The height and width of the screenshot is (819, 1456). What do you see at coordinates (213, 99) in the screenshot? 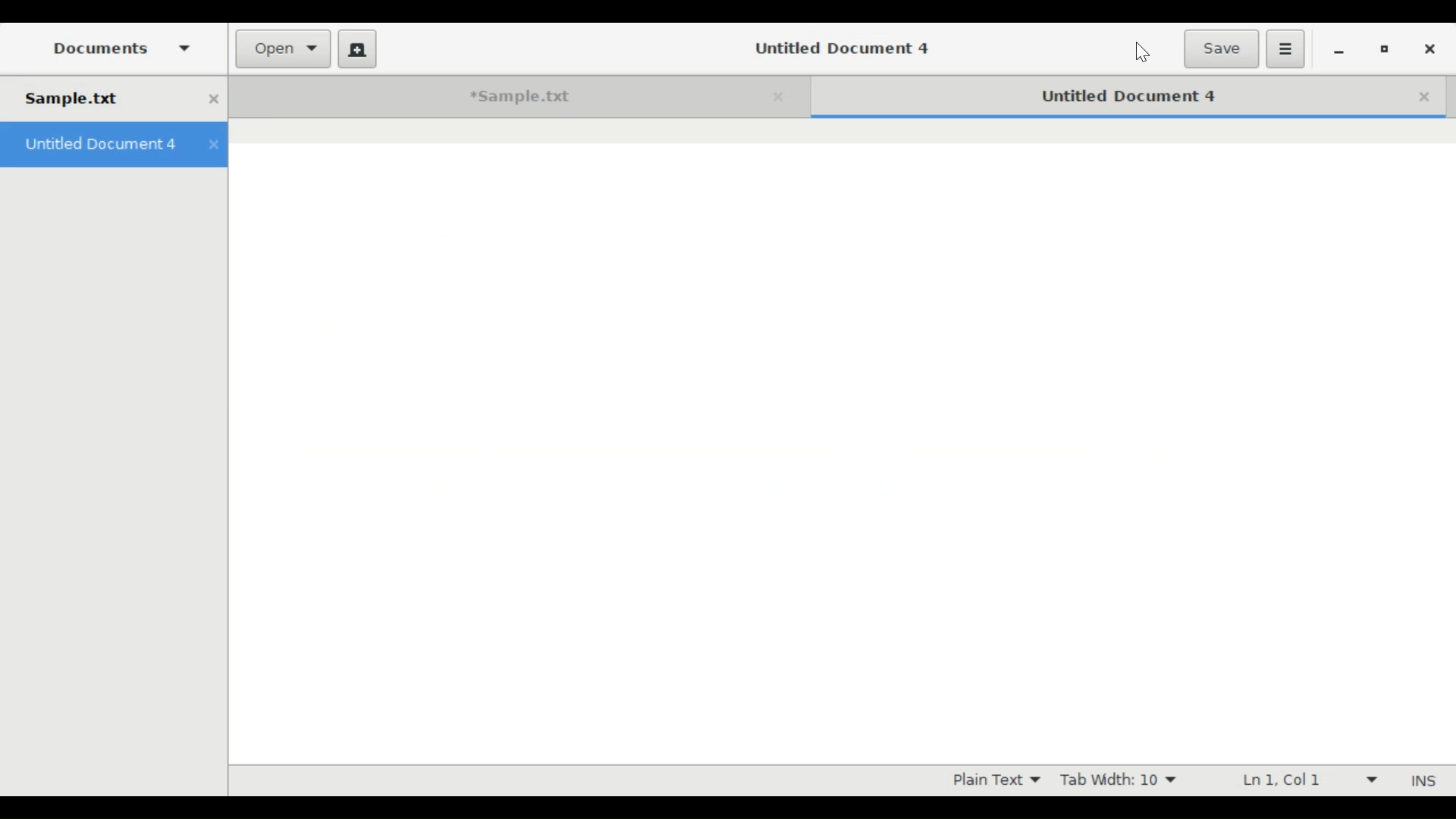
I see `close file` at bounding box center [213, 99].